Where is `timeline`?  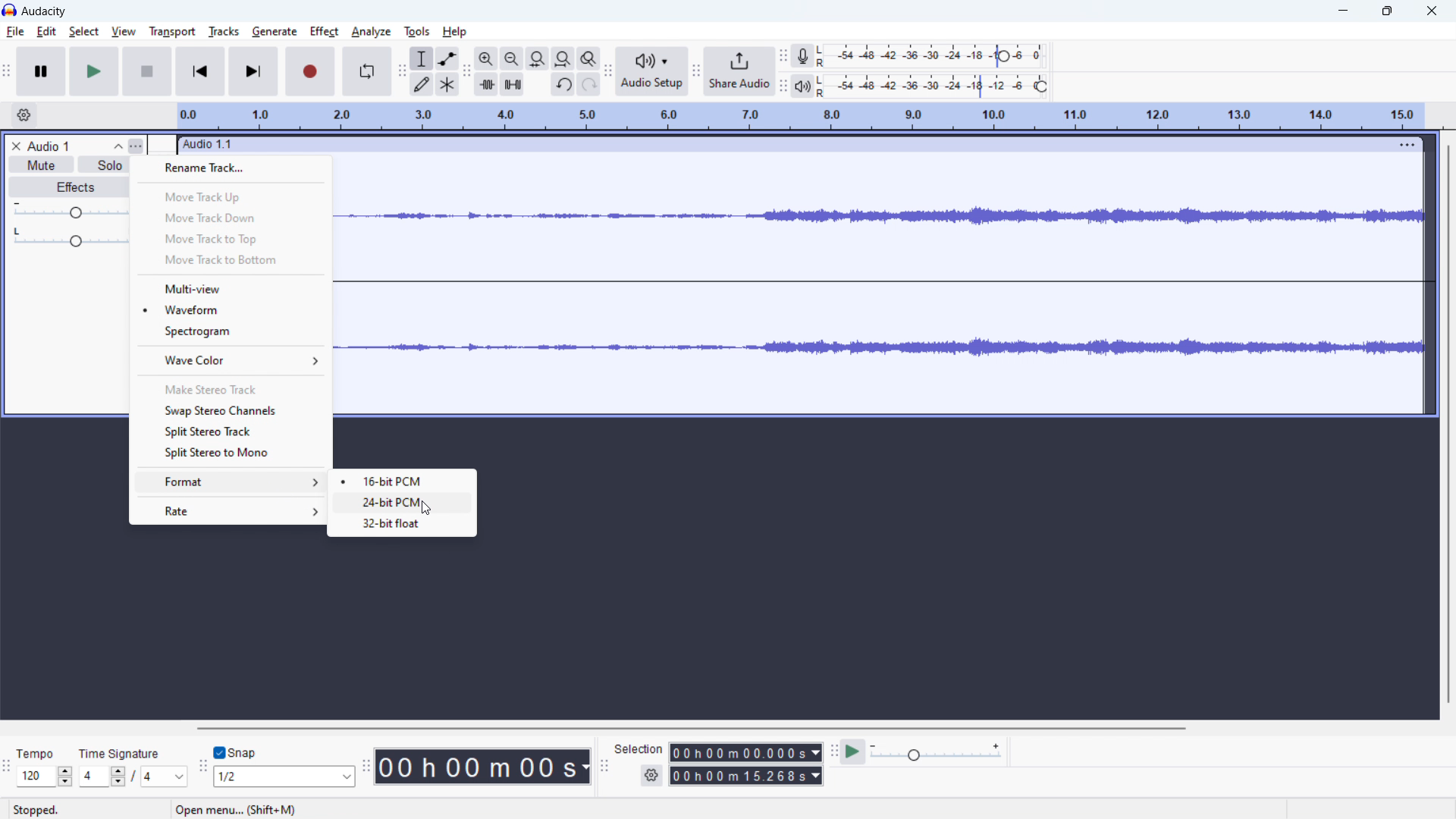
timeline is located at coordinates (802, 115).